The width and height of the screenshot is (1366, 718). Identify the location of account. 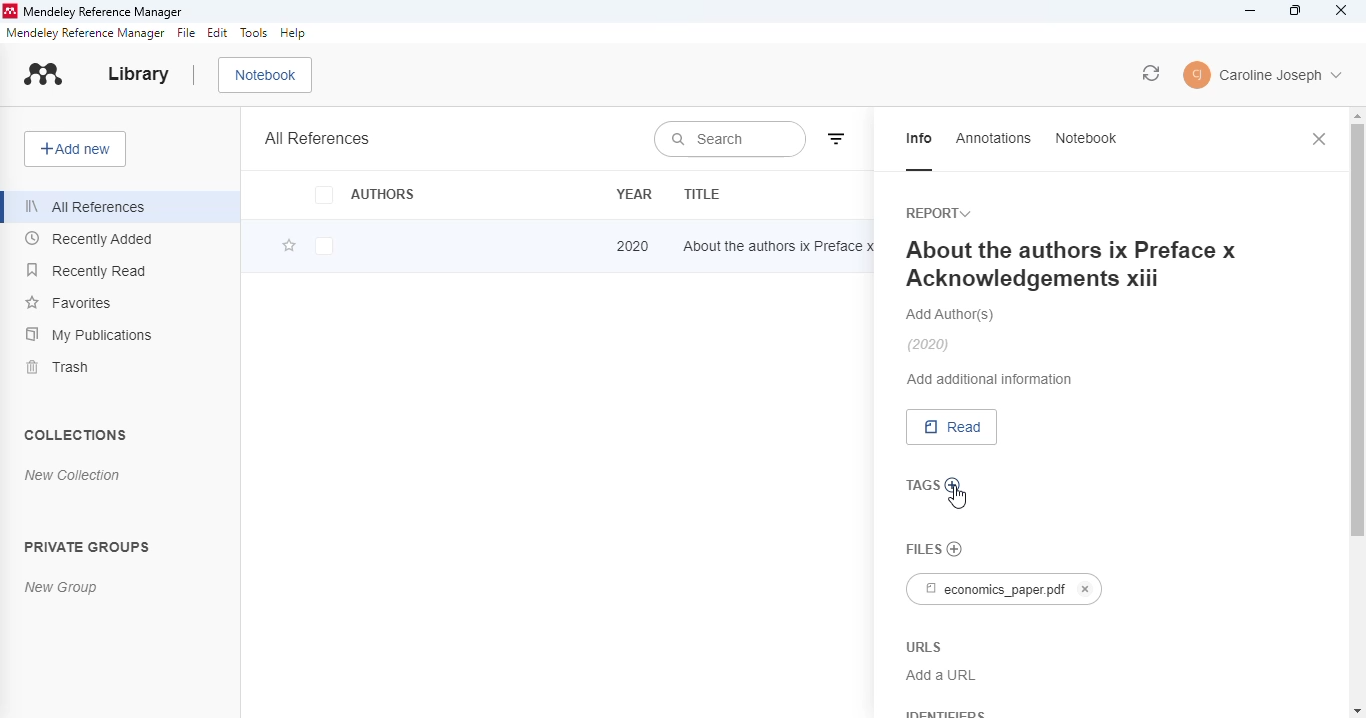
(1262, 74).